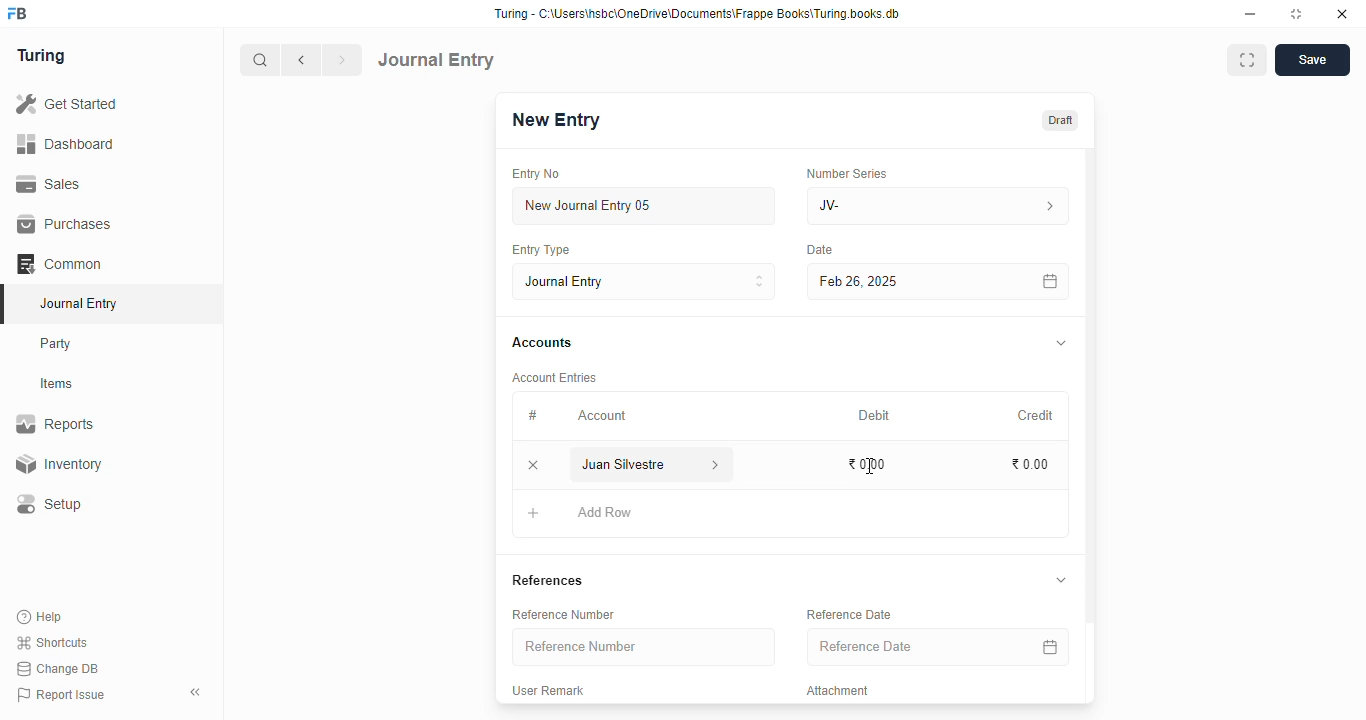 Image resolution: width=1366 pixels, height=720 pixels. What do you see at coordinates (939, 206) in the screenshot?
I see `JV-` at bounding box center [939, 206].